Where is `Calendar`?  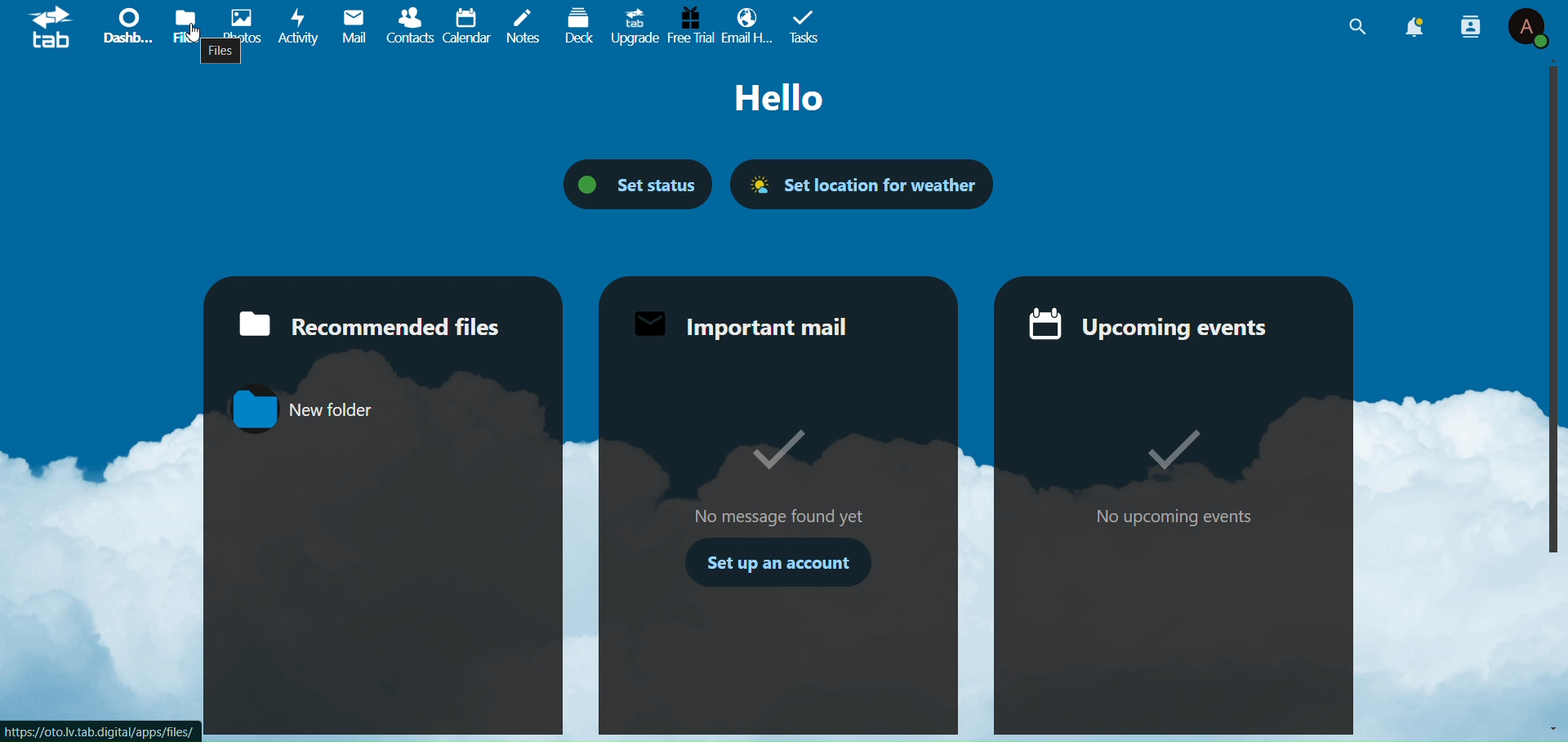
Calendar is located at coordinates (467, 26).